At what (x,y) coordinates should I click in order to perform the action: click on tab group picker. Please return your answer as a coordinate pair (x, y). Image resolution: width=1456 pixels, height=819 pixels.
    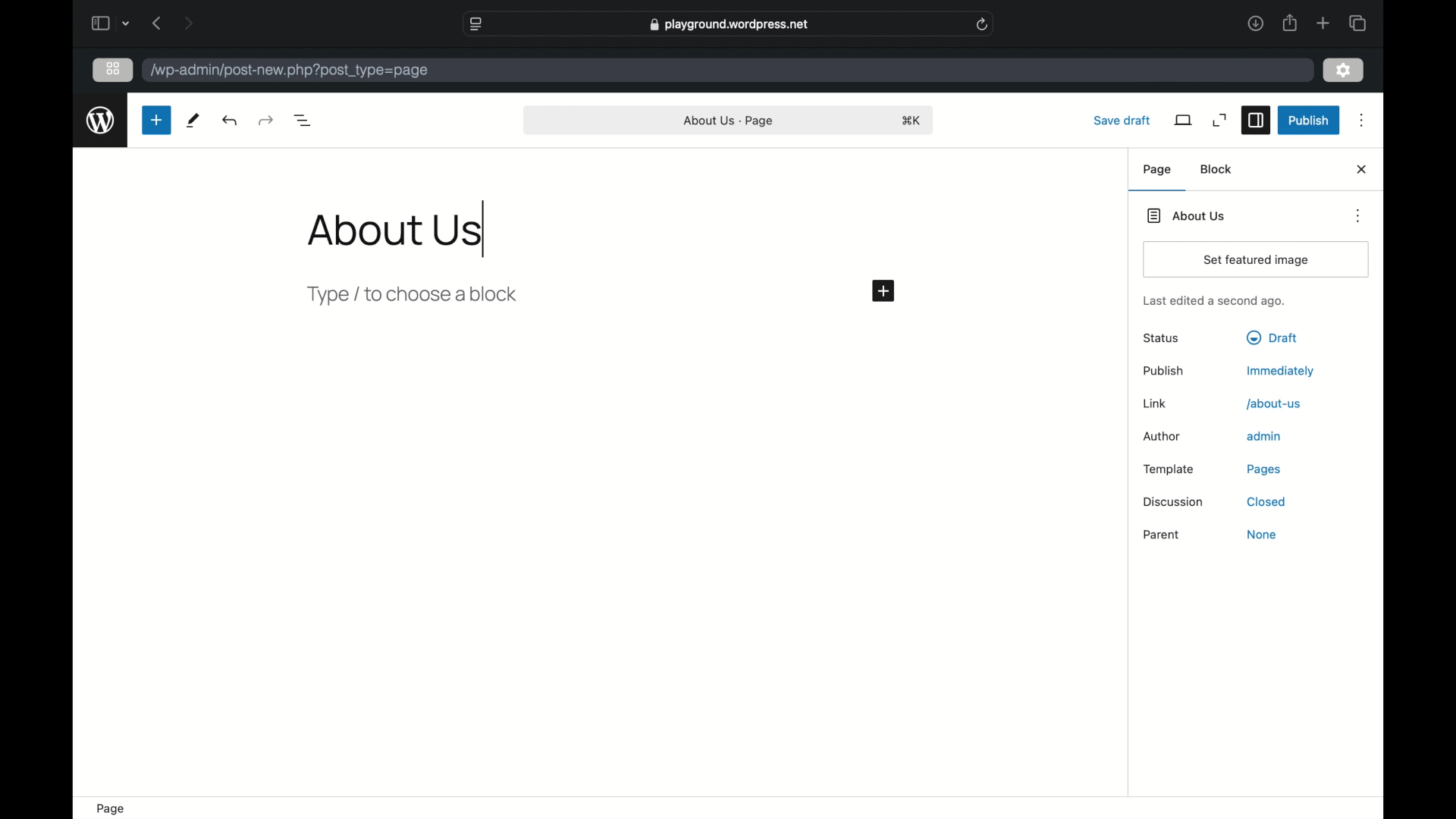
    Looking at the image, I should click on (126, 24).